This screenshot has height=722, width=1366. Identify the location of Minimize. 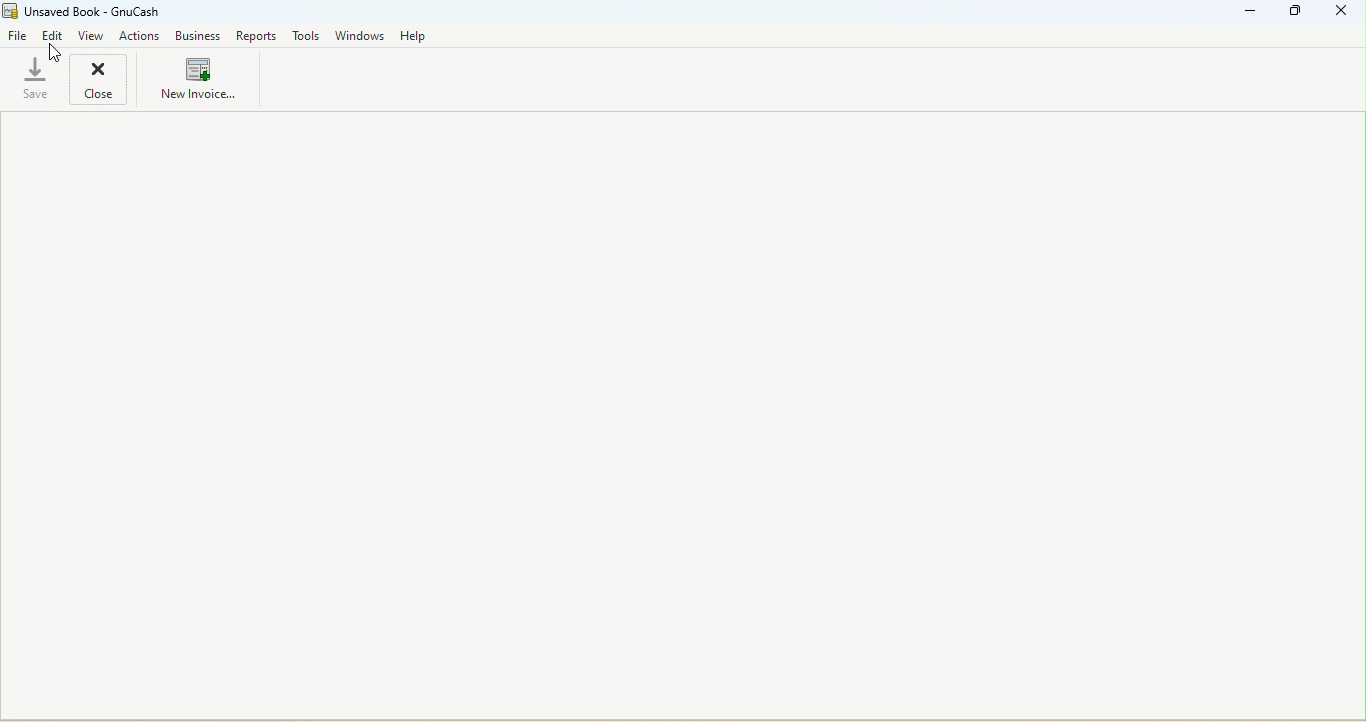
(1253, 12).